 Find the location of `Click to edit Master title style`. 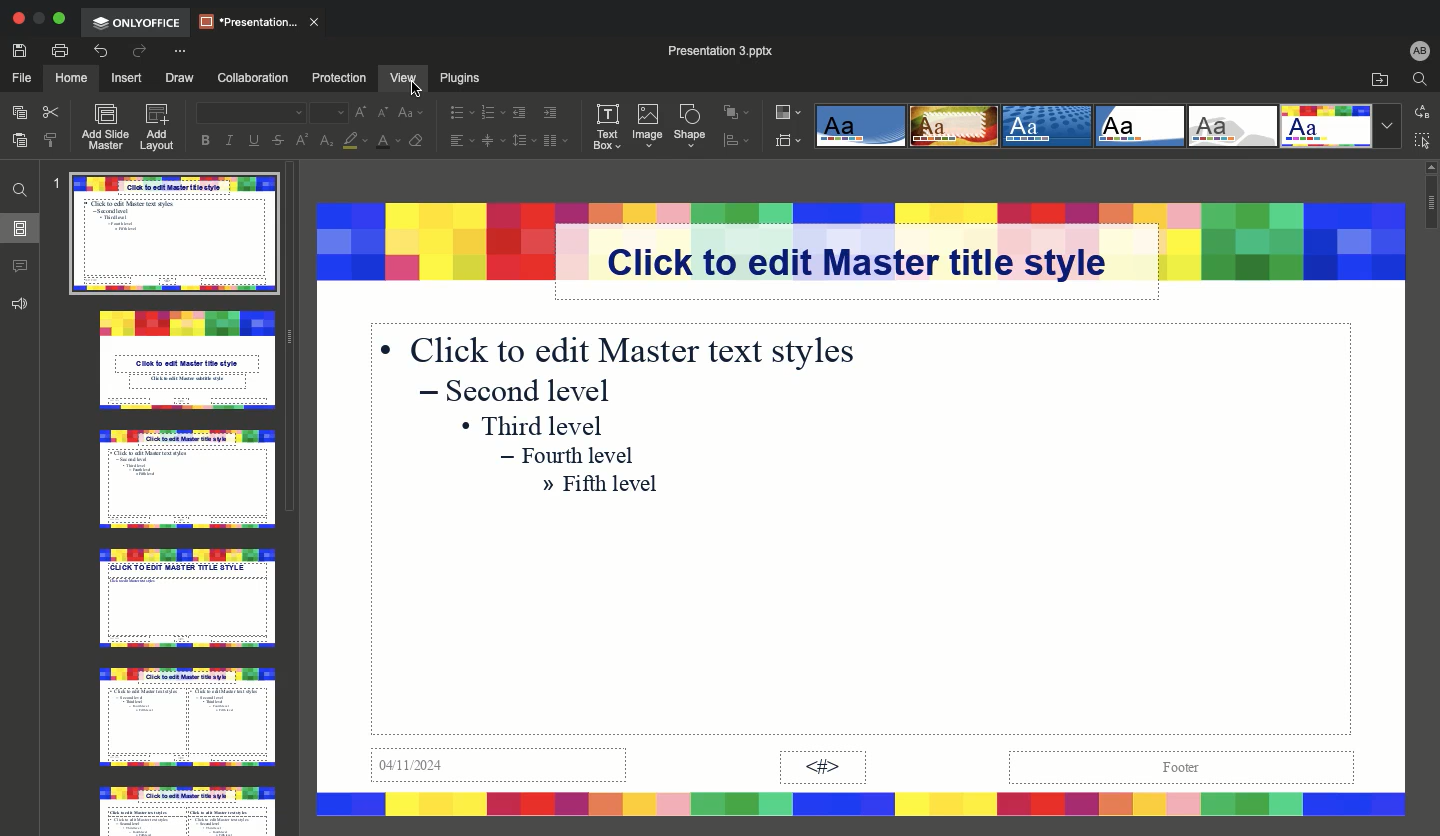

Click to edit Master title style is located at coordinates (877, 261).